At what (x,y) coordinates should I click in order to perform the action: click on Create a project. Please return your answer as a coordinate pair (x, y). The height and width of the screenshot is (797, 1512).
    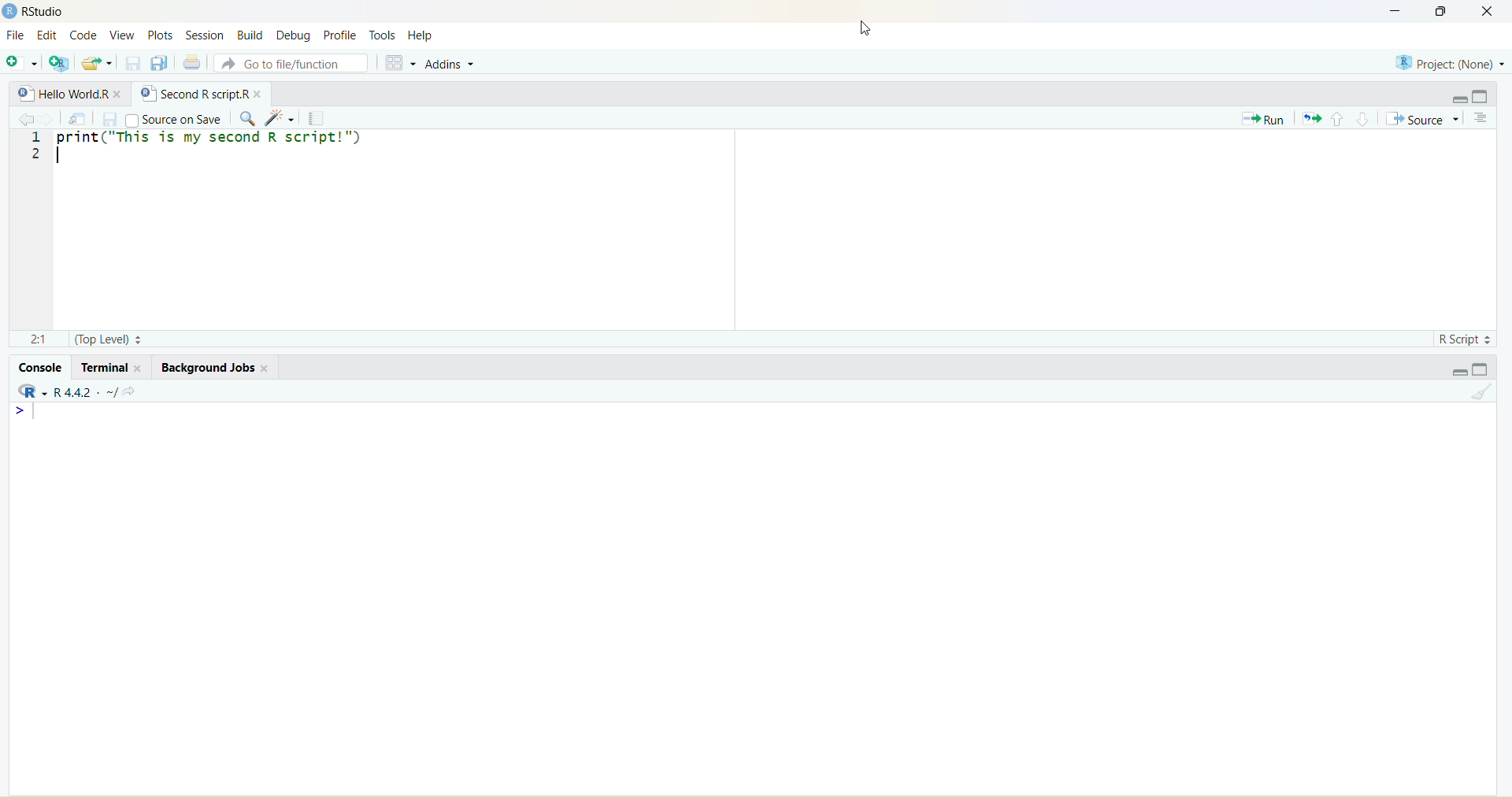
    Looking at the image, I should click on (60, 63).